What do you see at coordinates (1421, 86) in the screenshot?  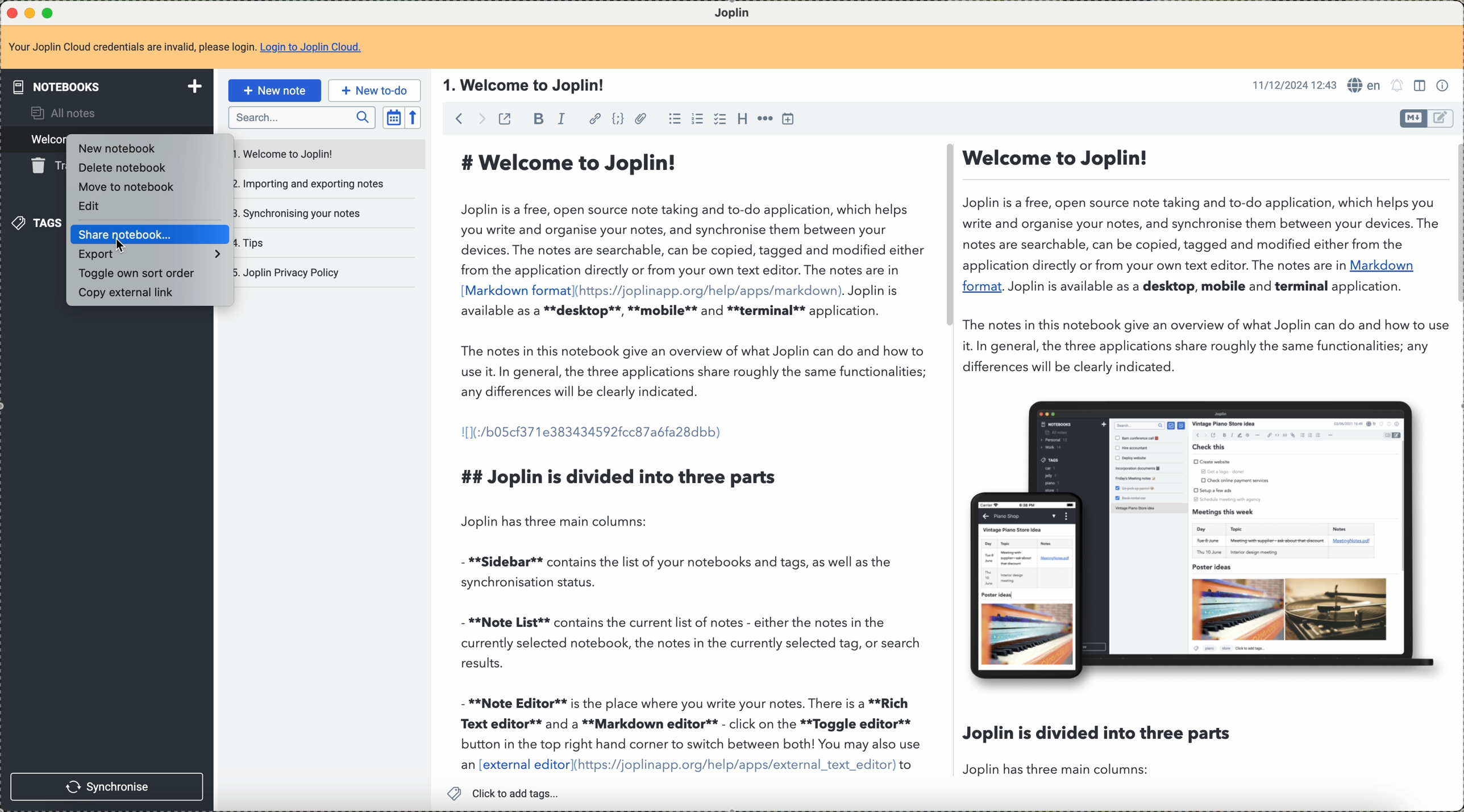 I see `toggle editor layouts` at bounding box center [1421, 86].